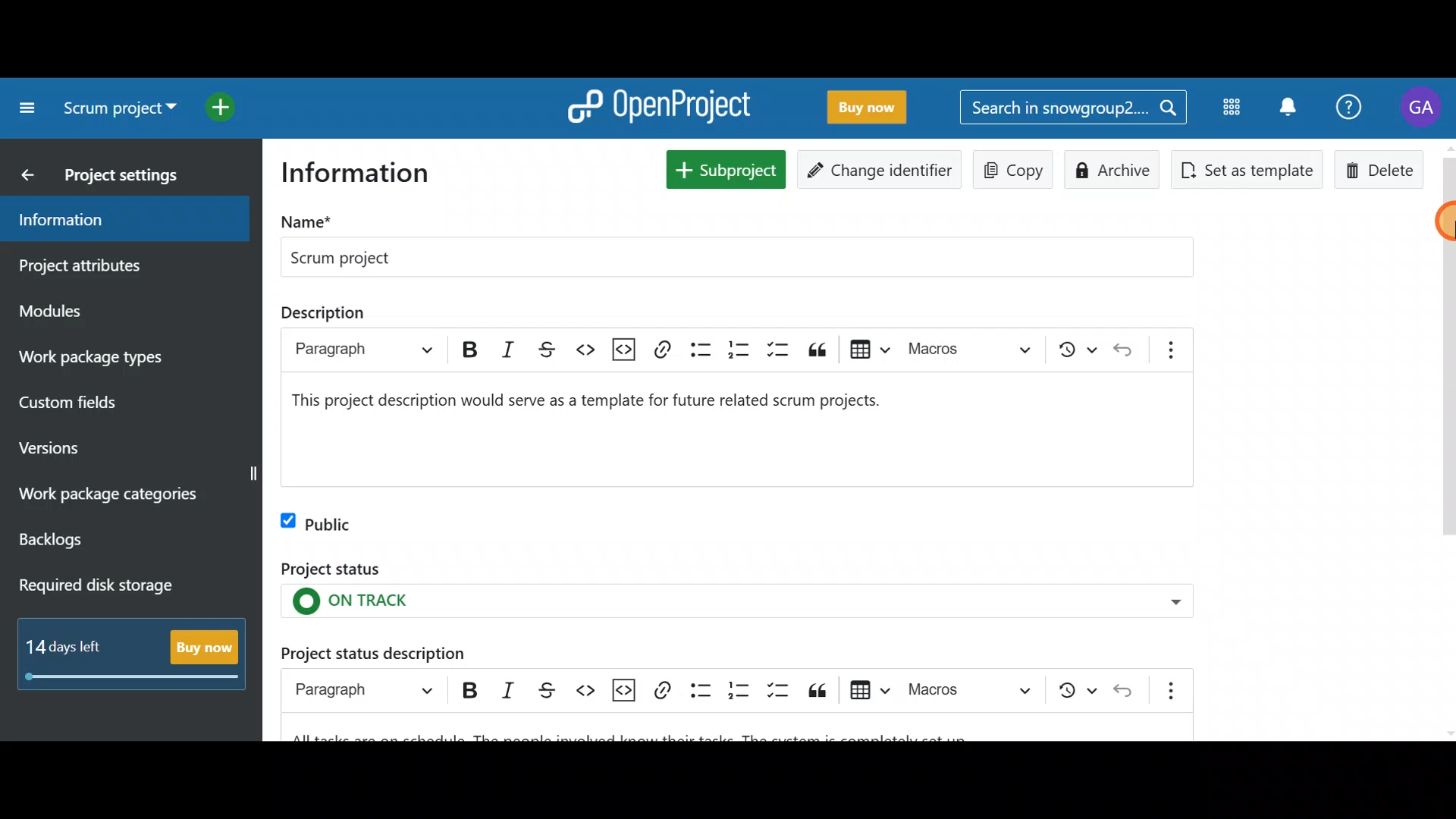  What do you see at coordinates (661, 692) in the screenshot?
I see `Link` at bounding box center [661, 692].